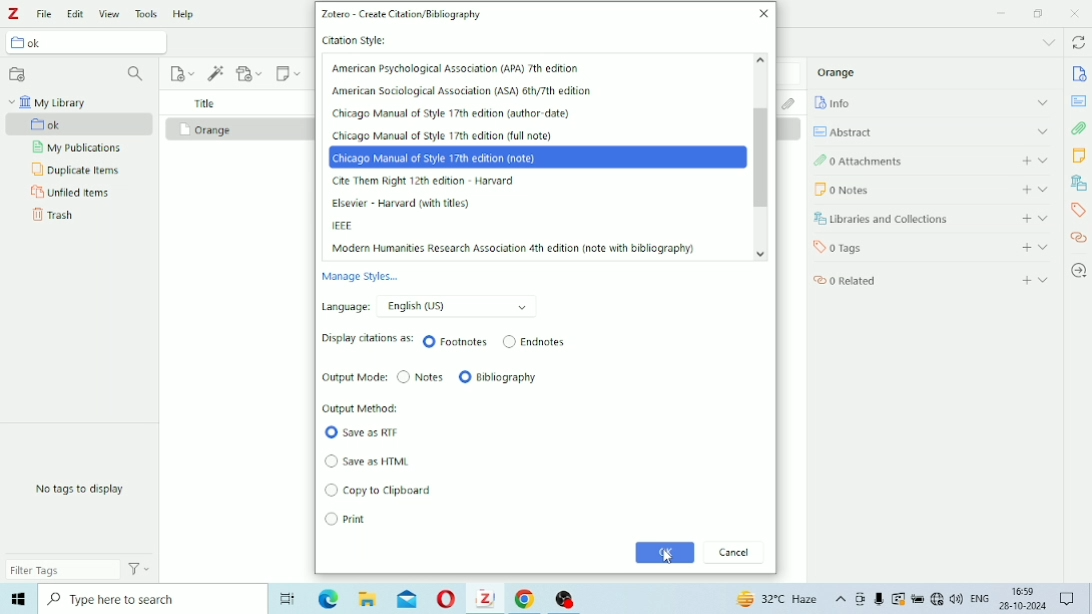 The height and width of the screenshot is (614, 1092). What do you see at coordinates (497, 377) in the screenshot?
I see `Bibliography` at bounding box center [497, 377].